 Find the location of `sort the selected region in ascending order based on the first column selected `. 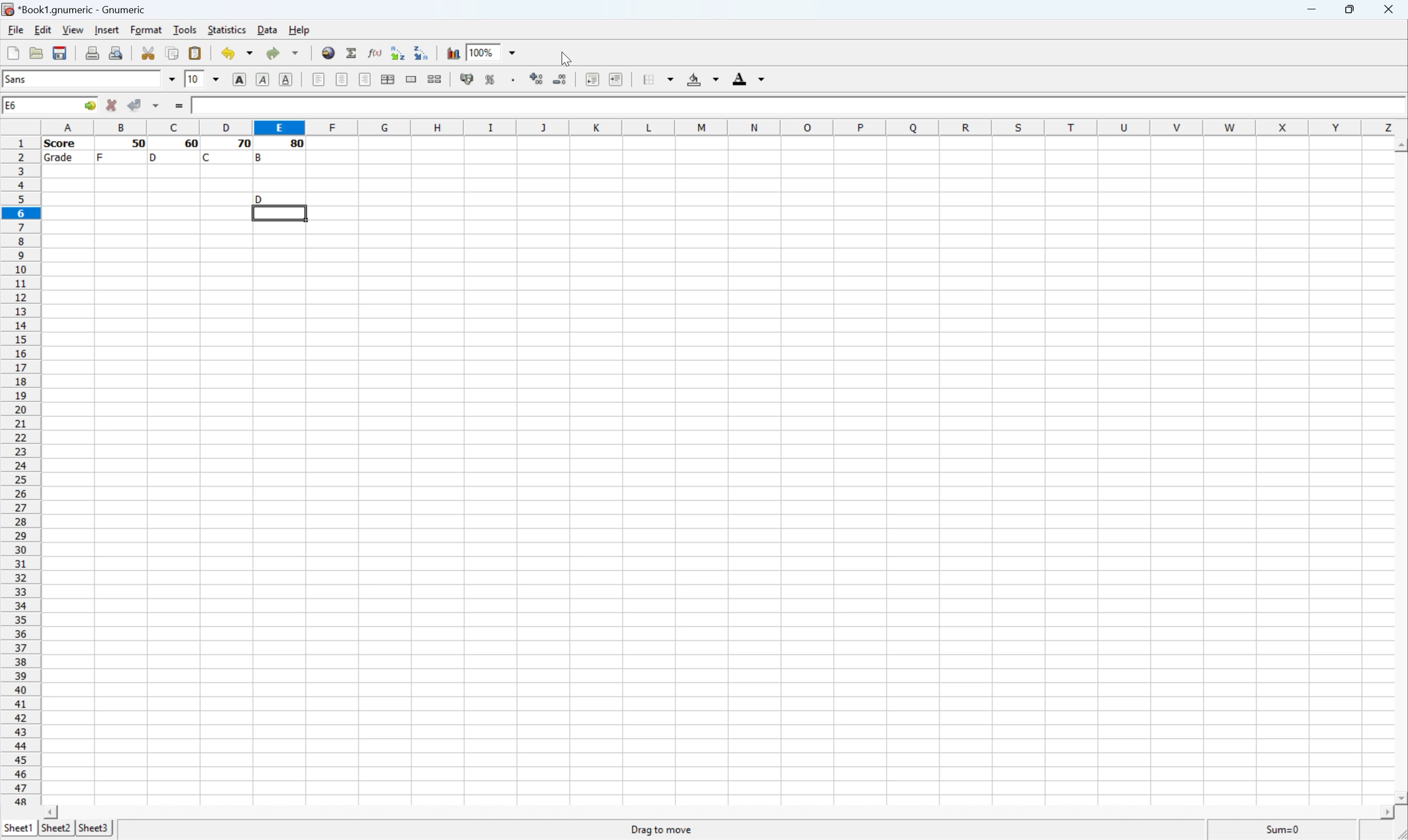

sort the selected region in ascending order based on the first column selected  is located at coordinates (396, 52).